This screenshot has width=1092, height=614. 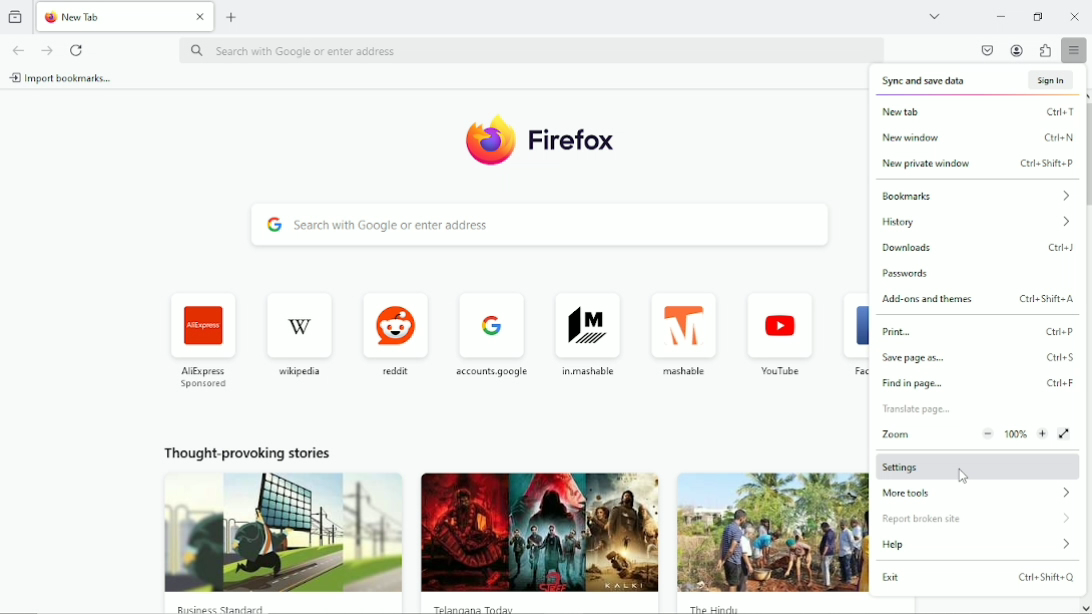 I want to click on wikipedia, so click(x=301, y=331).